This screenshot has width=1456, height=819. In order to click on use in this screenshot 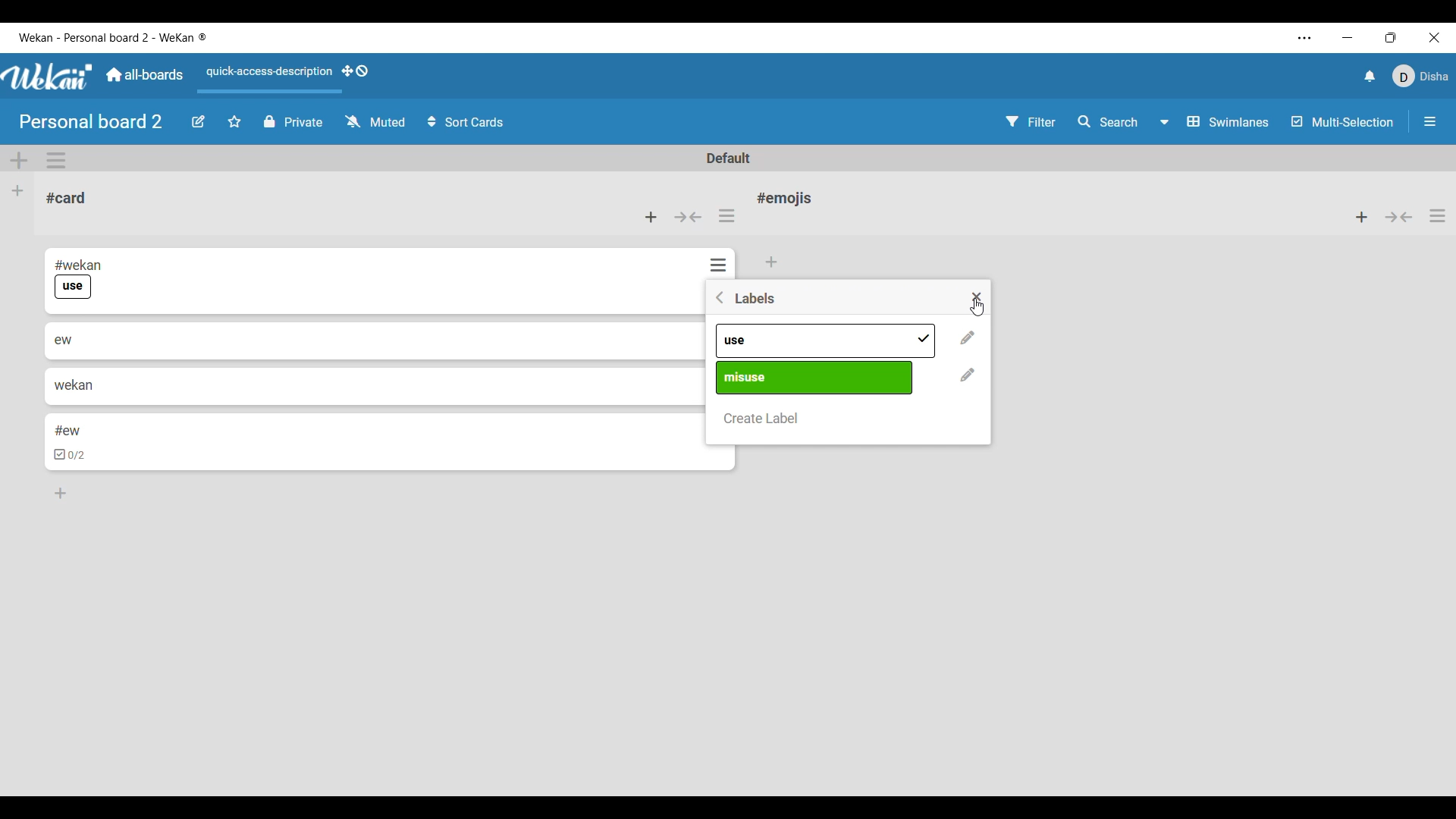, I will do `click(73, 287)`.